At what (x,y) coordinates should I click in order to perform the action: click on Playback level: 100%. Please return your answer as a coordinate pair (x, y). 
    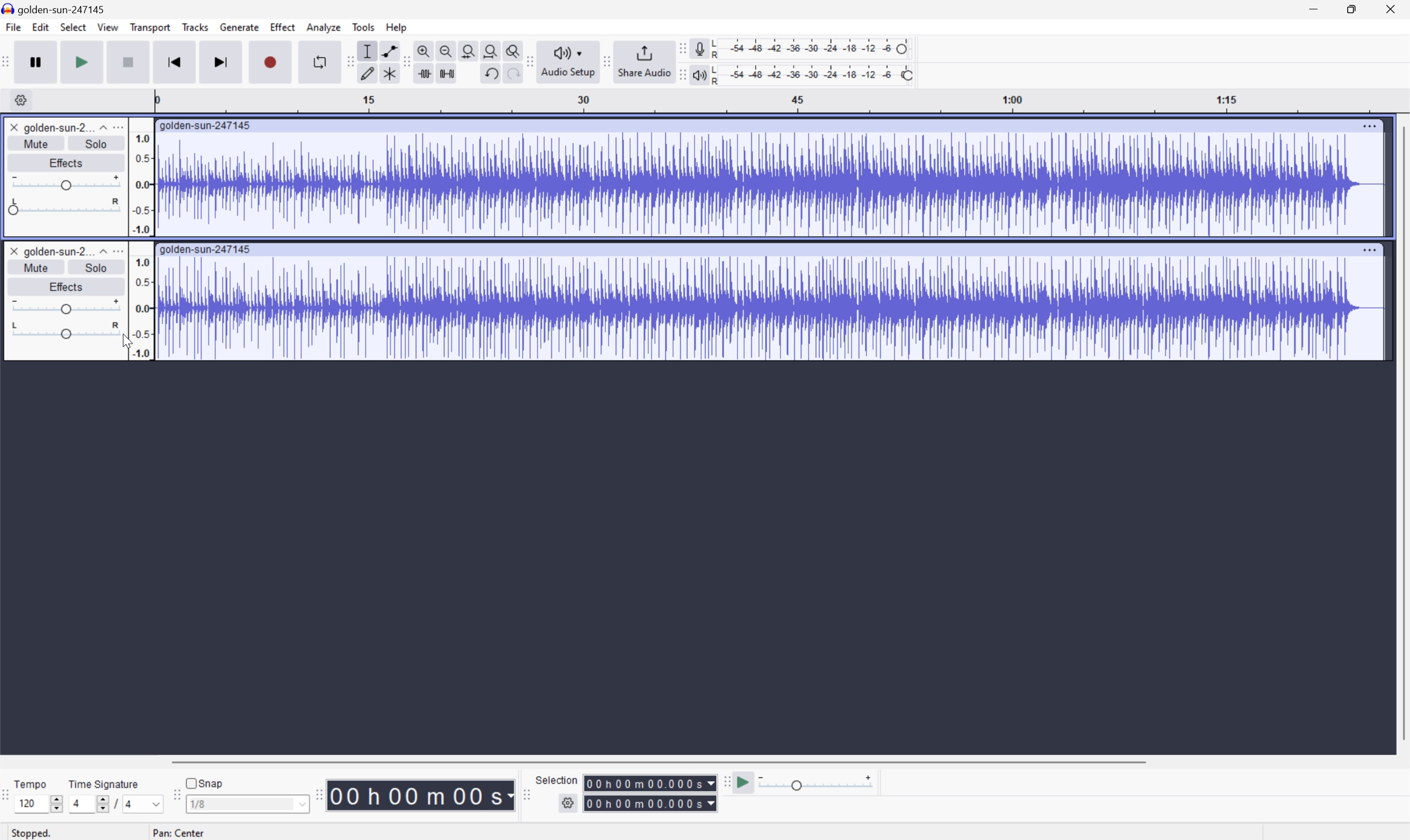
    Looking at the image, I should click on (814, 76).